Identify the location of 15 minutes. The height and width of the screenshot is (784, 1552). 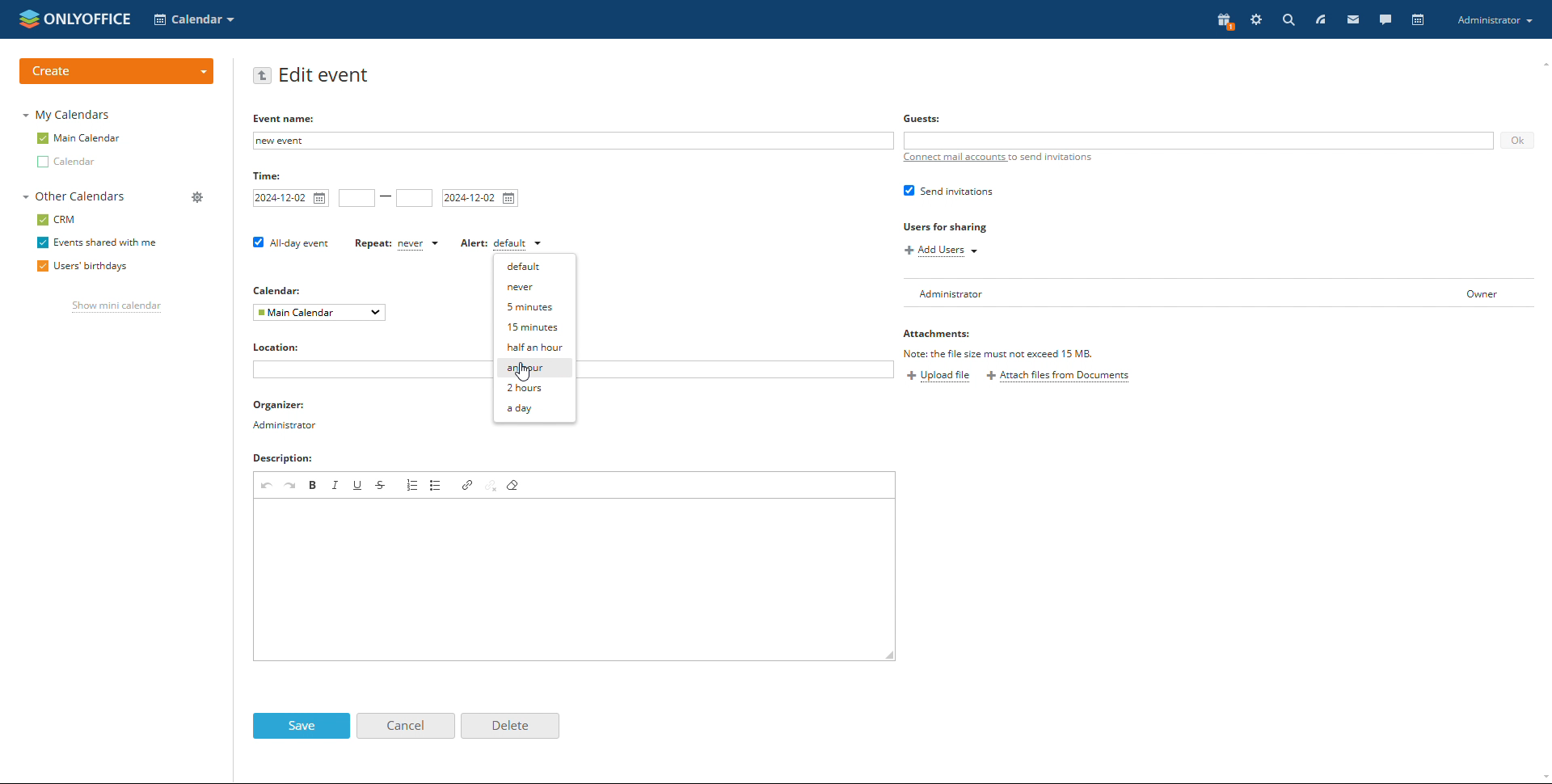
(534, 326).